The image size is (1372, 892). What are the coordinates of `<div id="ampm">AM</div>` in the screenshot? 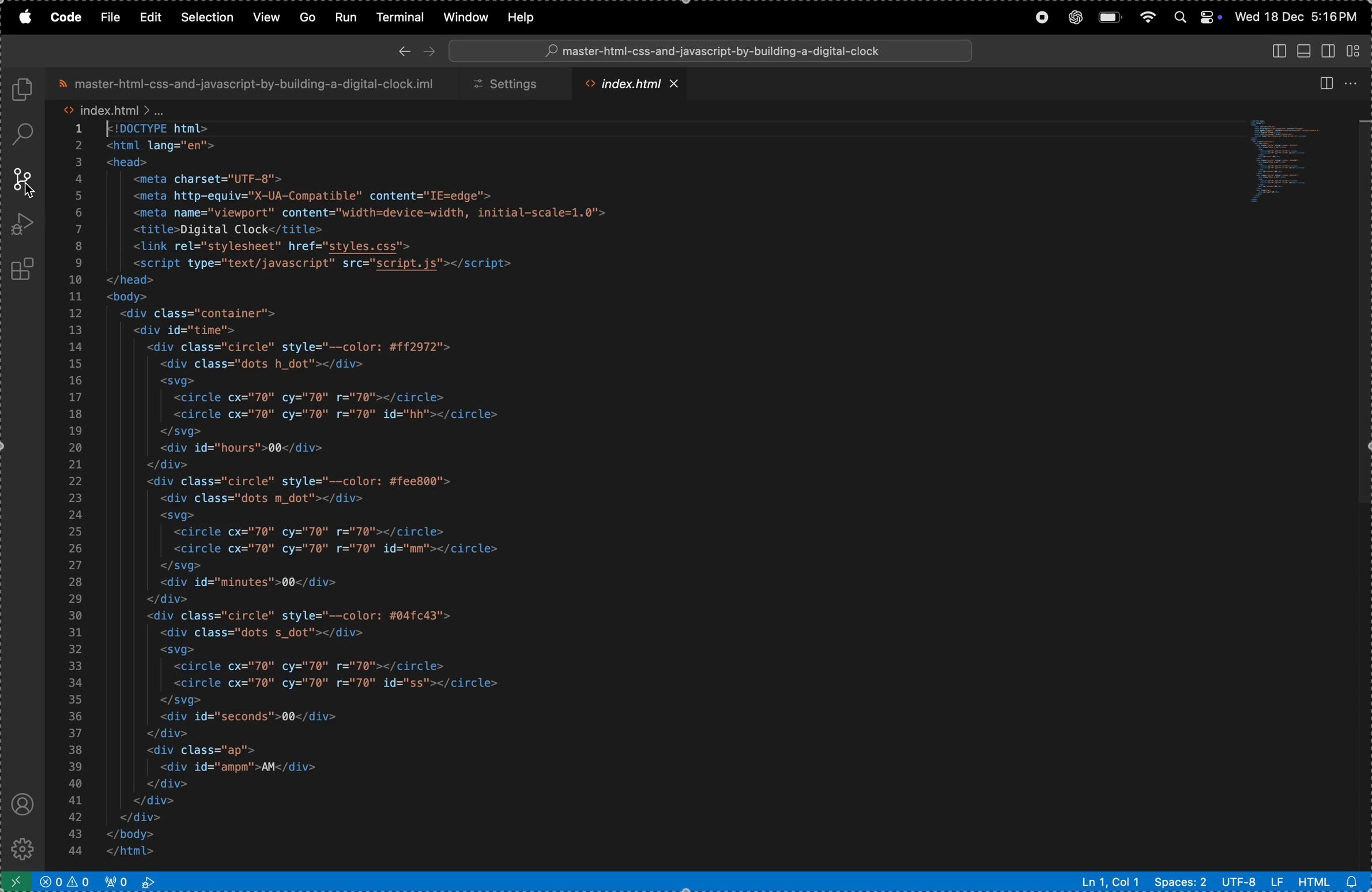 It's located at (241, 767).